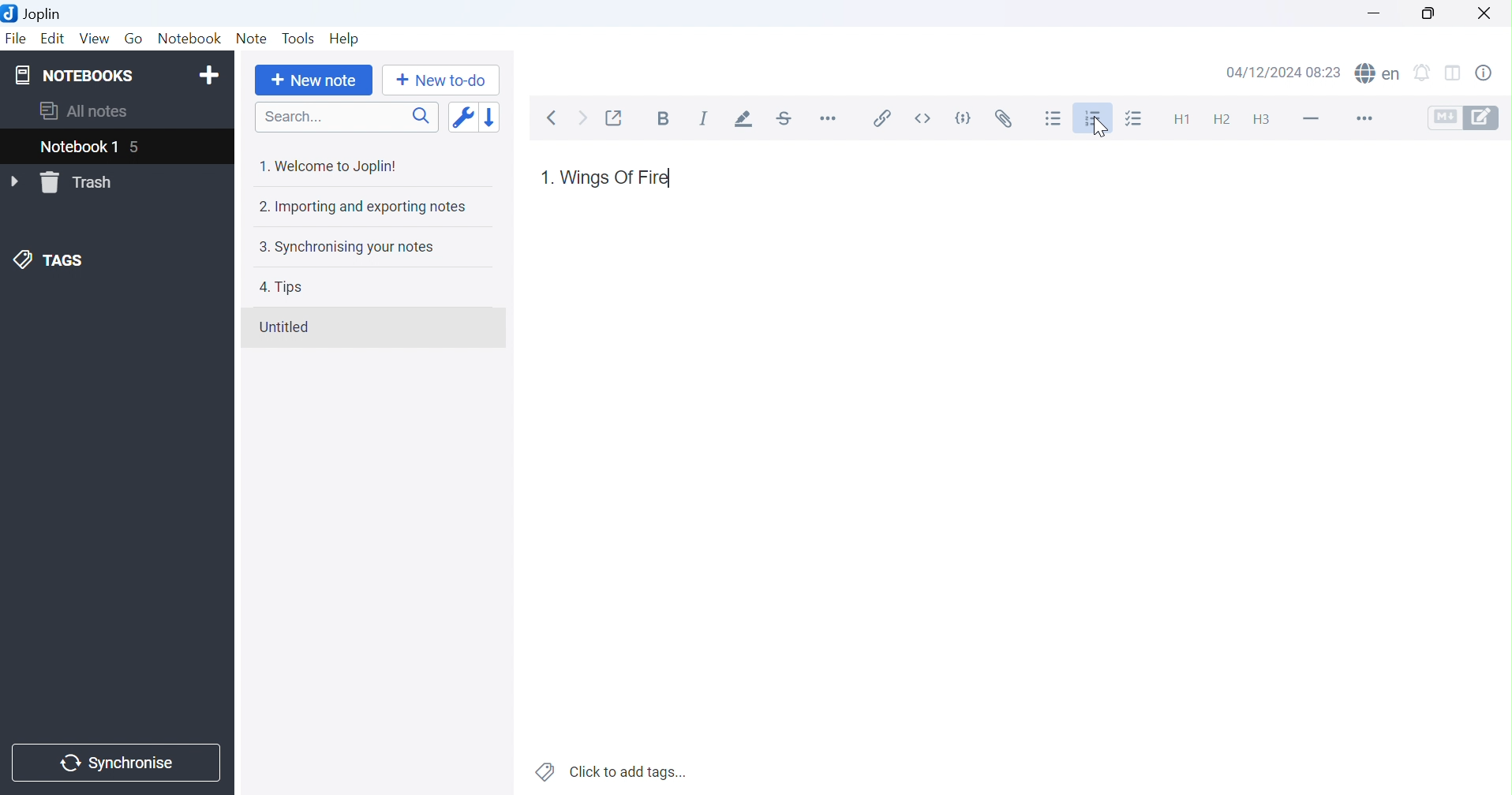 This screenshot has width=1512, height=795. What do you see at coordinates (1054, 118) in the screenshot?
I see `Bulleted list` at bounding box center [1054, 118].